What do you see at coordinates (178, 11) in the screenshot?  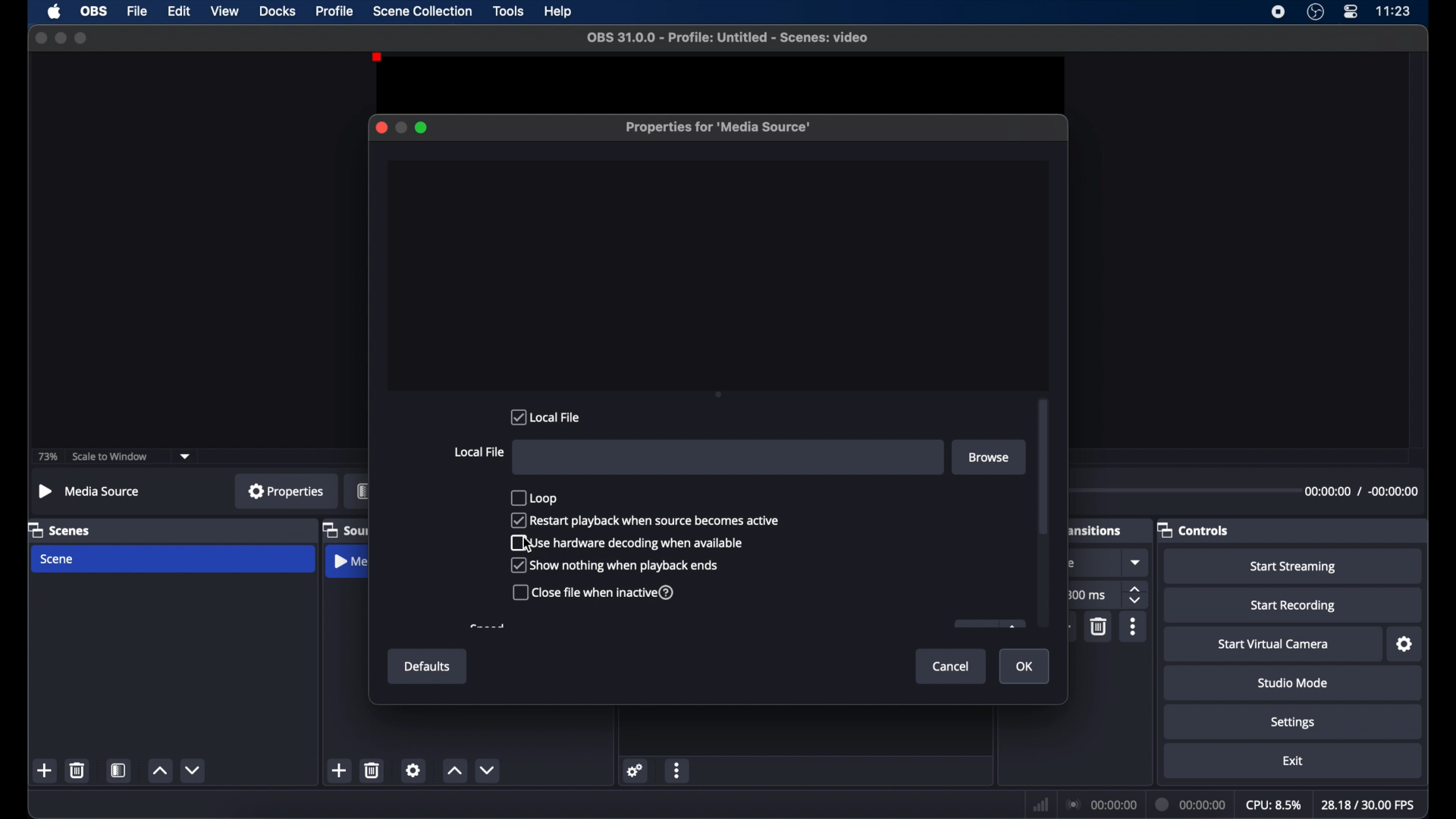 I see `edit` at bounding box center [178, 11].